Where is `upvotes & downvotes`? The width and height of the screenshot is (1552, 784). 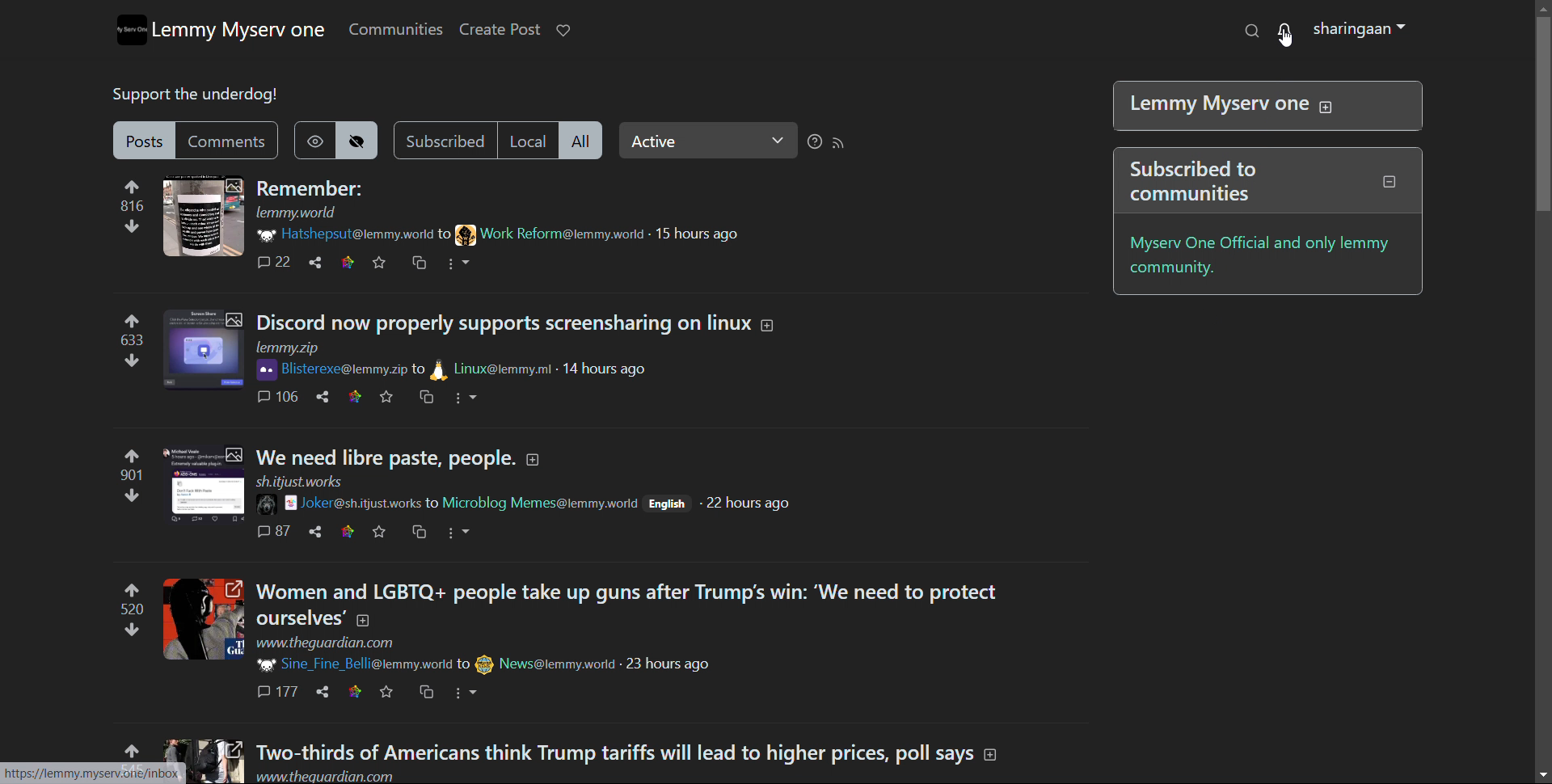
upvotes & downvotes is located at coordinates (131, 609).